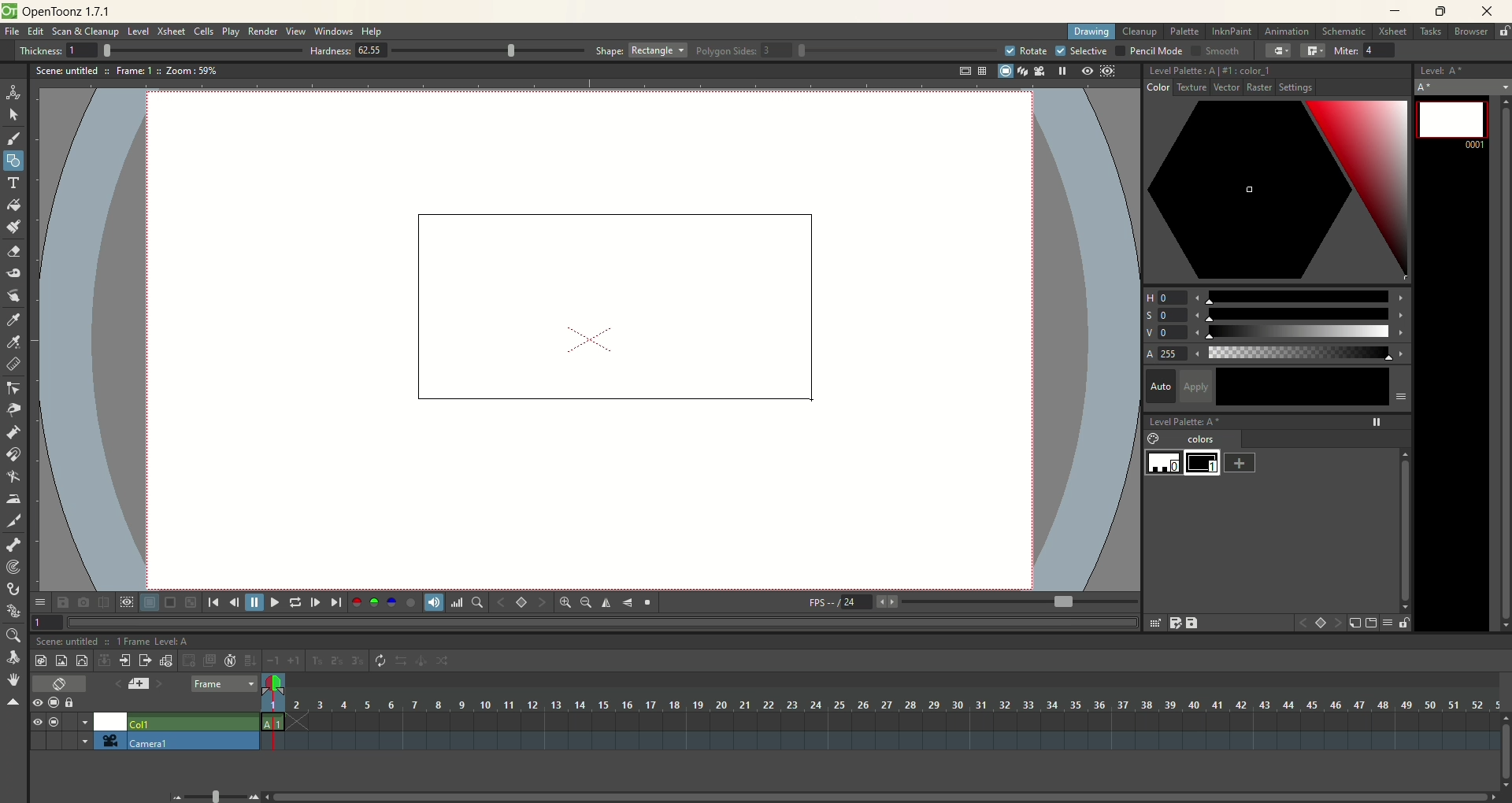  What do you see at coordinates (1232, 31) in the screenshot?
I see `ink paint` at bounding box center [1232, 31].